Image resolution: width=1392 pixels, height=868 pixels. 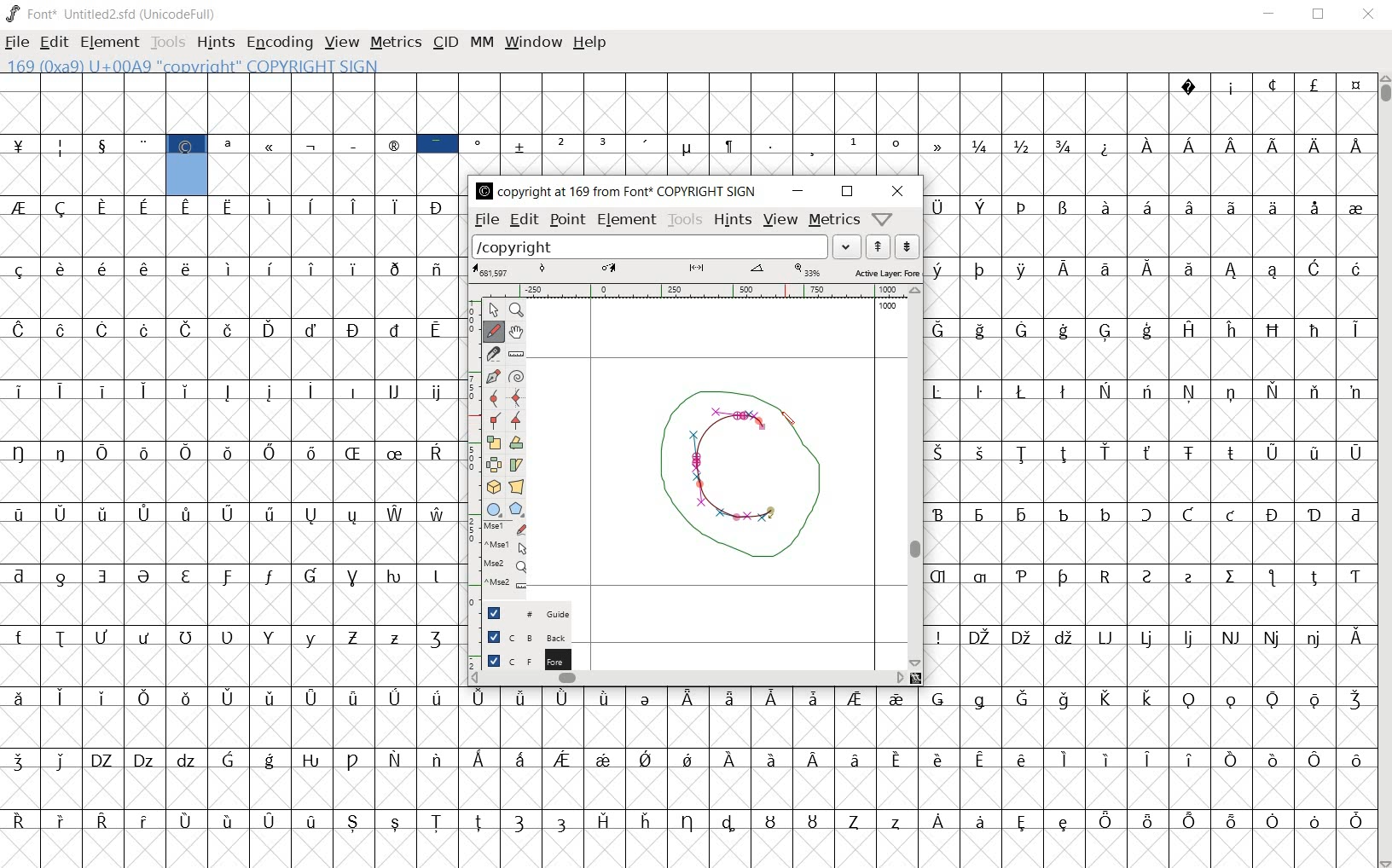 I want to click on cid, so click(x=444, y=43).